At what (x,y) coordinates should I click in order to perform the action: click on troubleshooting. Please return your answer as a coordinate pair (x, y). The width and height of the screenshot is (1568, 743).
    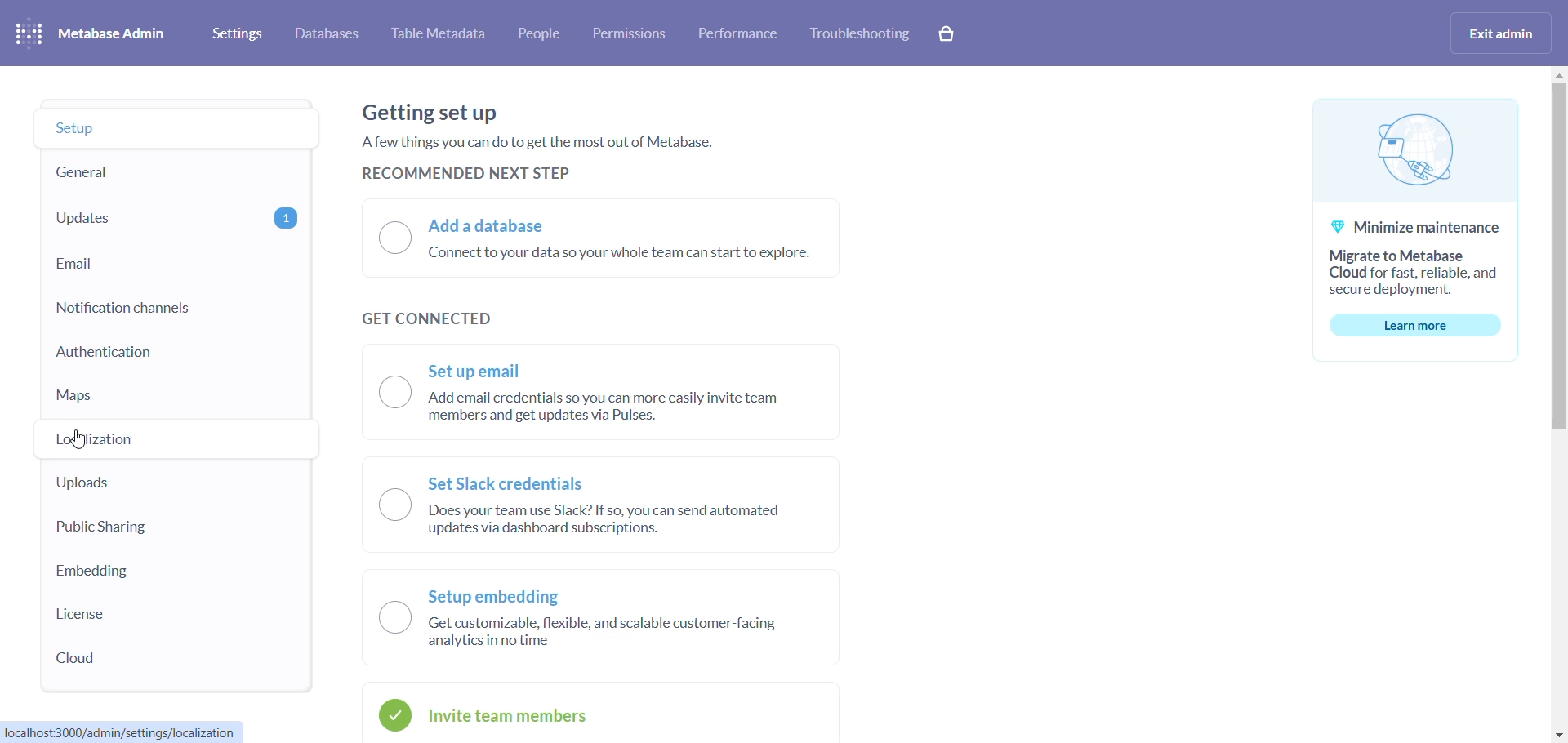
    Looking at the image, I should click on (863, 33).